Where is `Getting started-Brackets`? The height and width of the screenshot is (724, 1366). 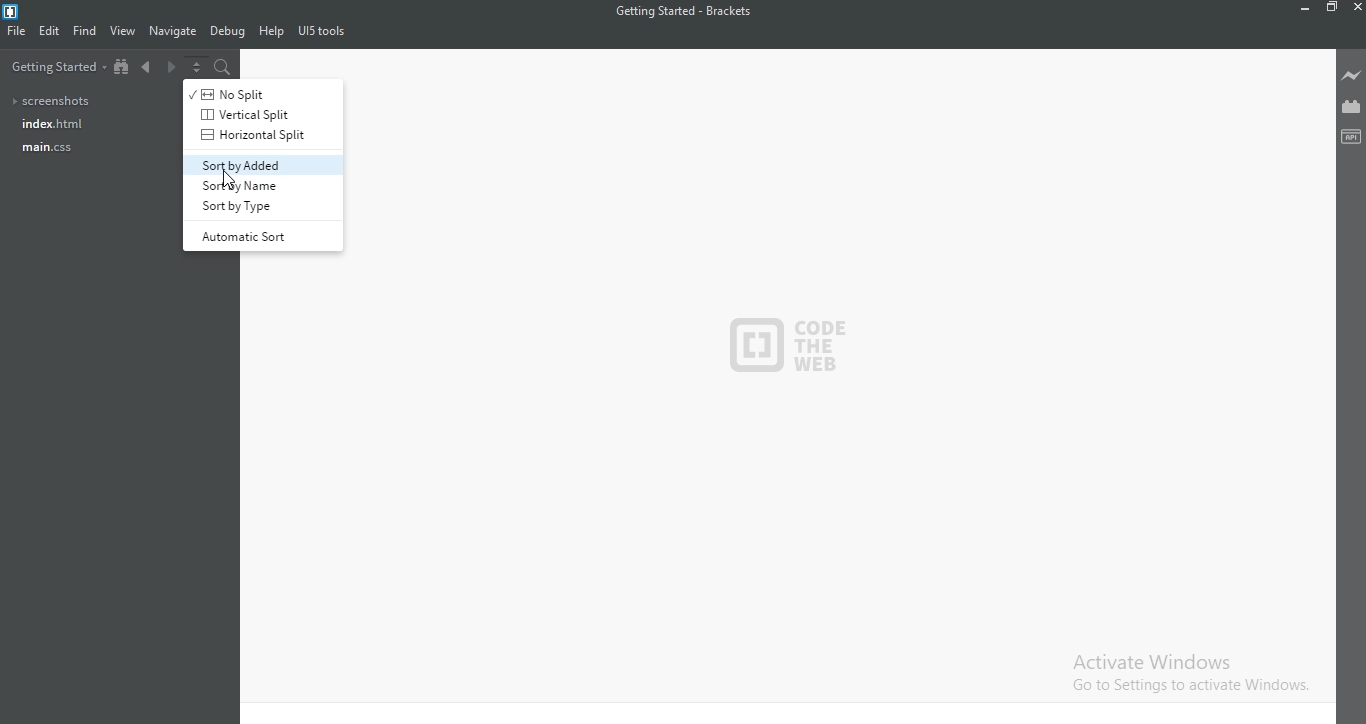 Getting started-Brackets is located at coordinates (682, 11).